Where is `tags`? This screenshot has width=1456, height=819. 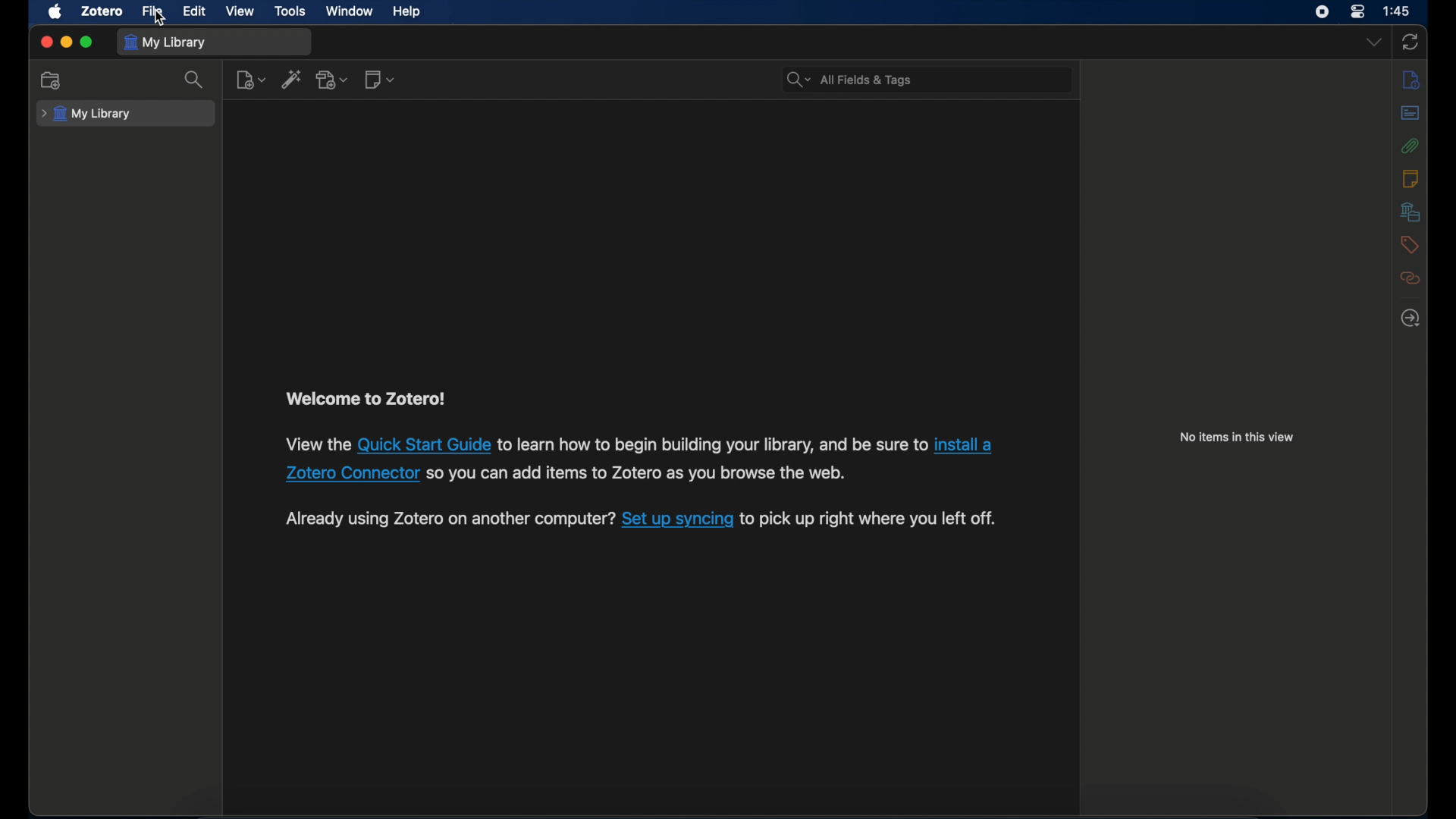
tags is located at coordinates (1410, 245).